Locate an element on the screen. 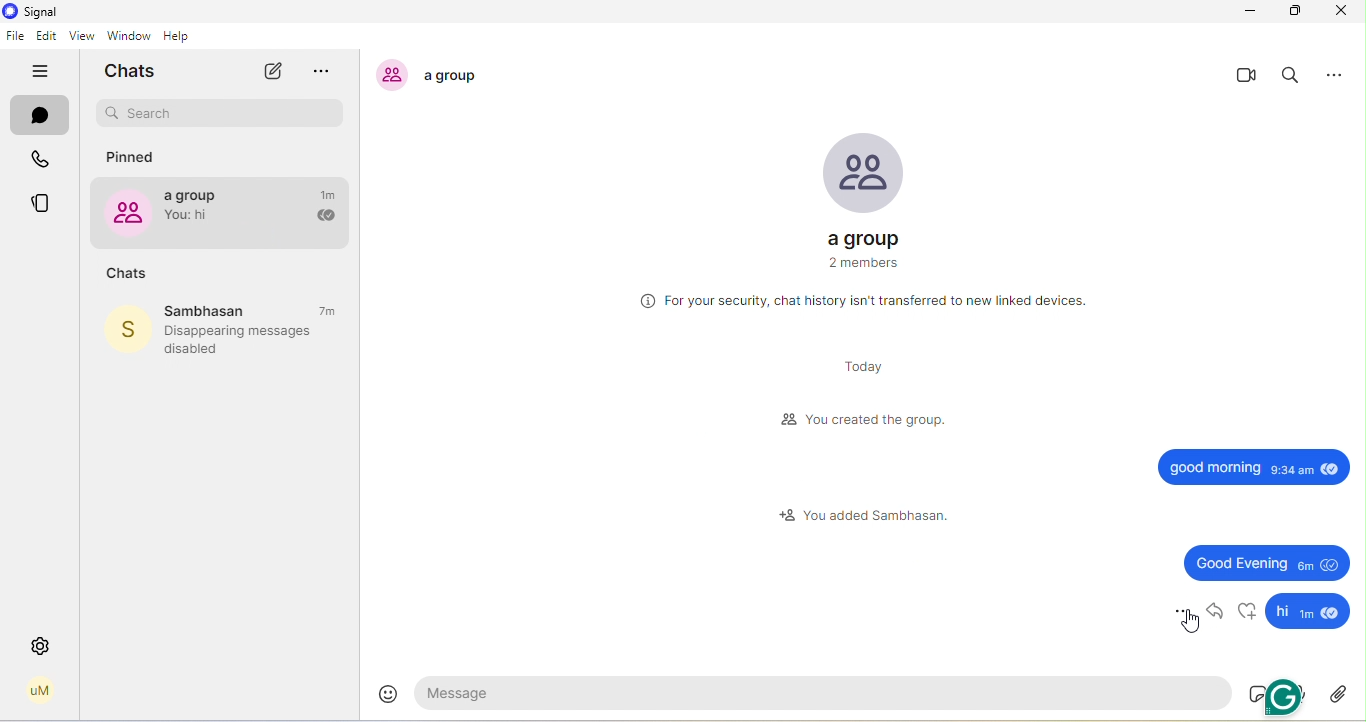  message read/unread/delivery status is located at coordinates (324, 217).